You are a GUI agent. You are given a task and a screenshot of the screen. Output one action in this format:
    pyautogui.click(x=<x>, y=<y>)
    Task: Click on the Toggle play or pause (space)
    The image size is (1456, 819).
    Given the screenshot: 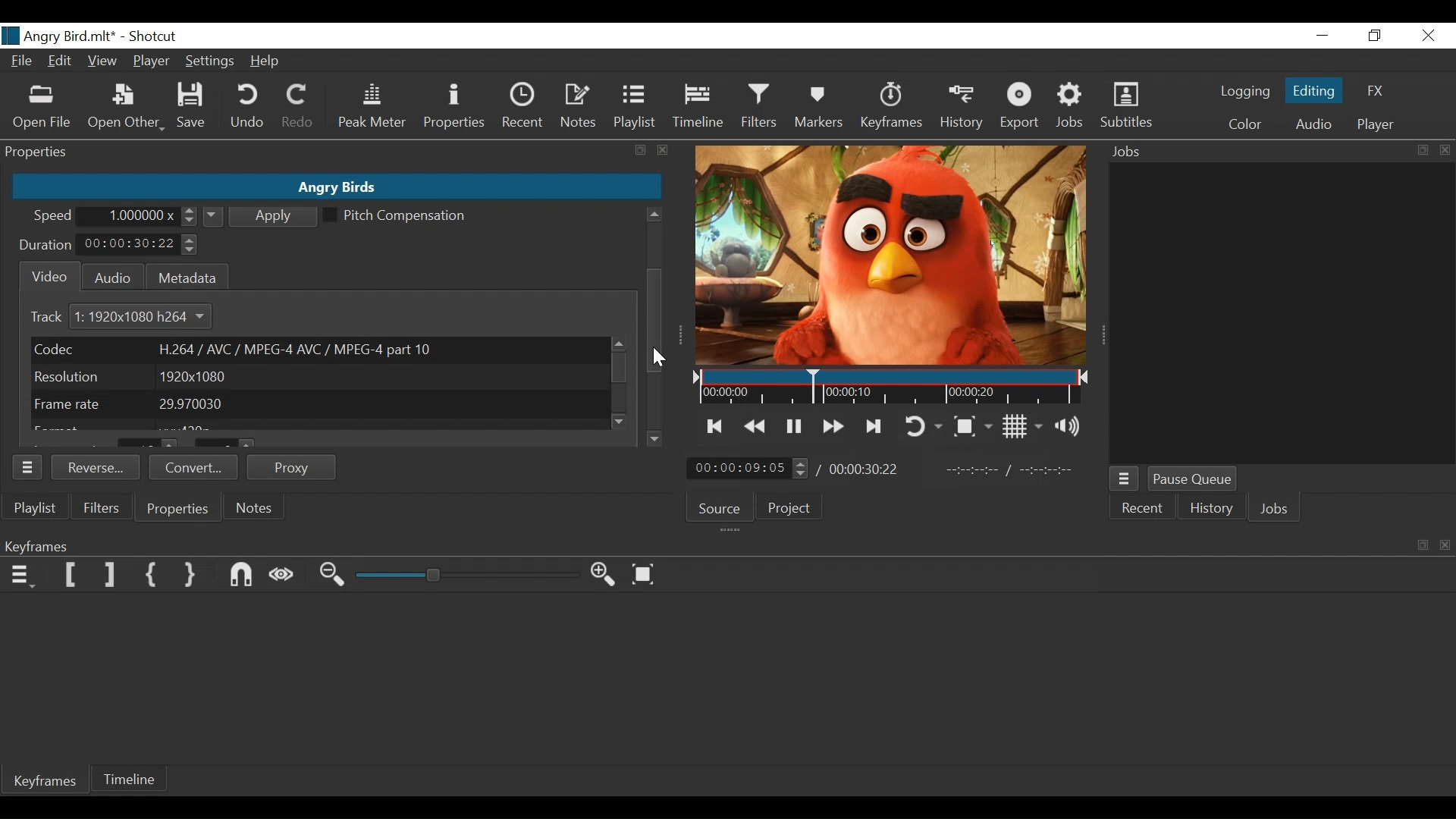 What is the action you would take?
    pyautogui.click(x=793, y=425)
    